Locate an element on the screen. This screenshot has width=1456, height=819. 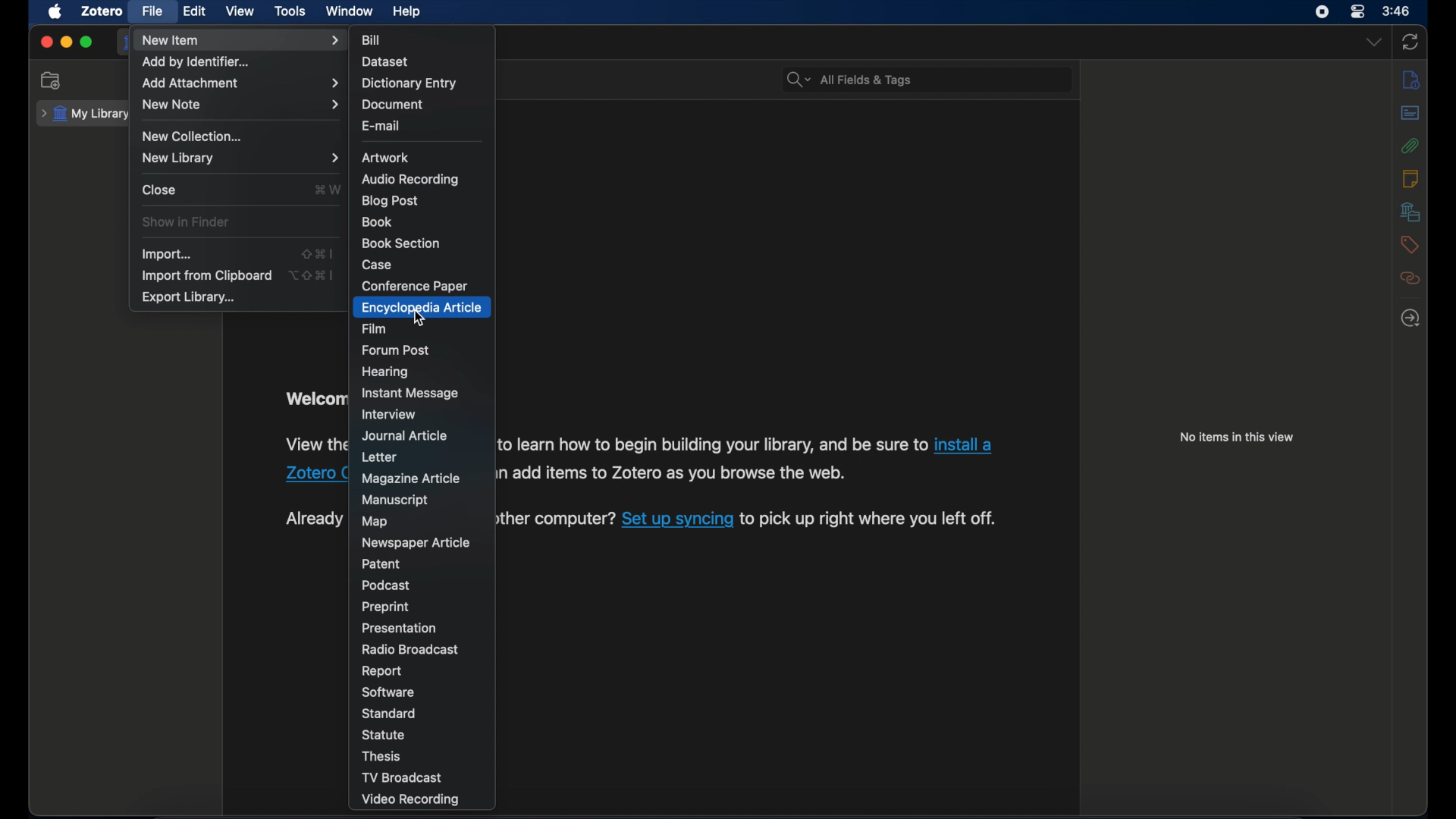
newspaper article is located at coordinates (415, 542).